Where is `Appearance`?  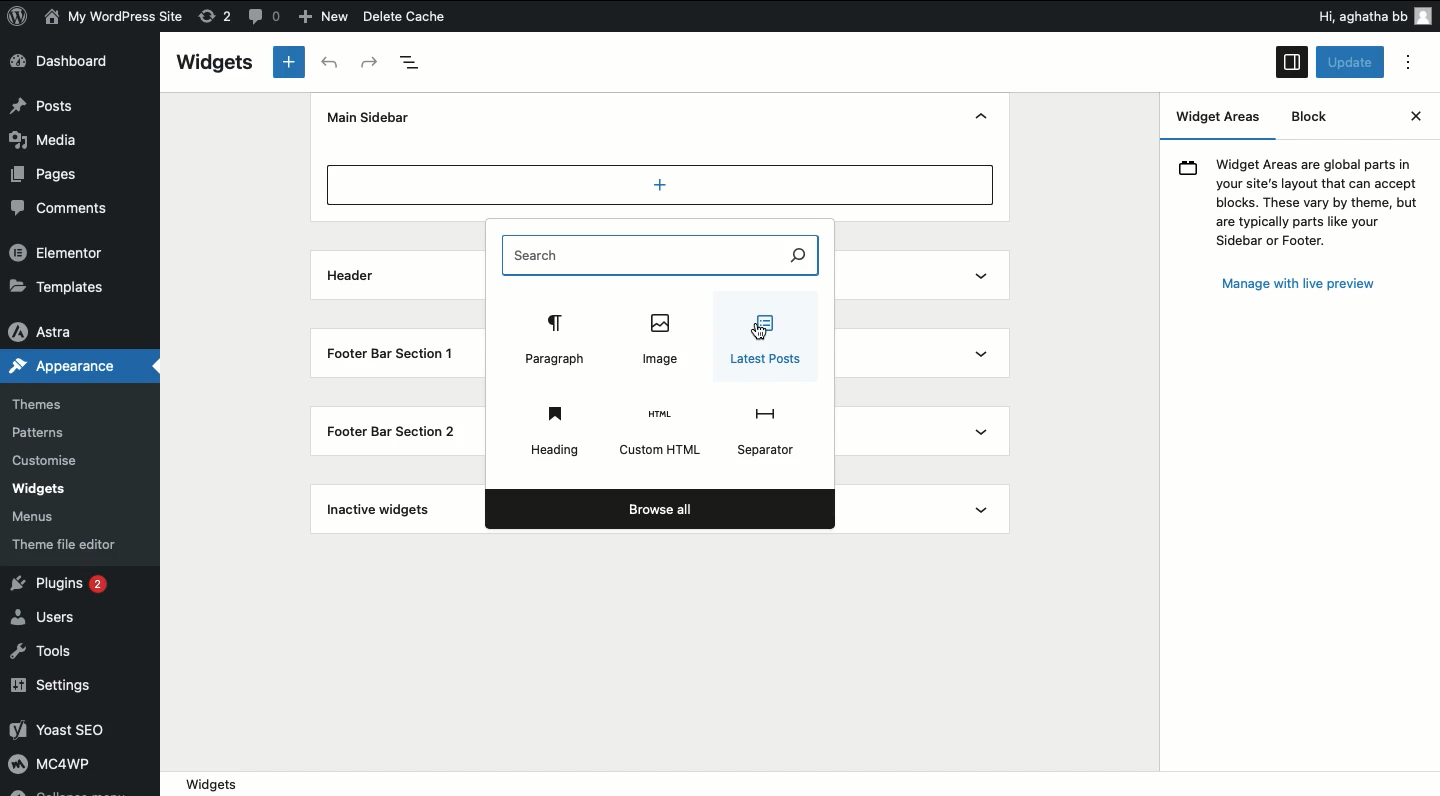 Appearance is located at coordinates (70, 365).